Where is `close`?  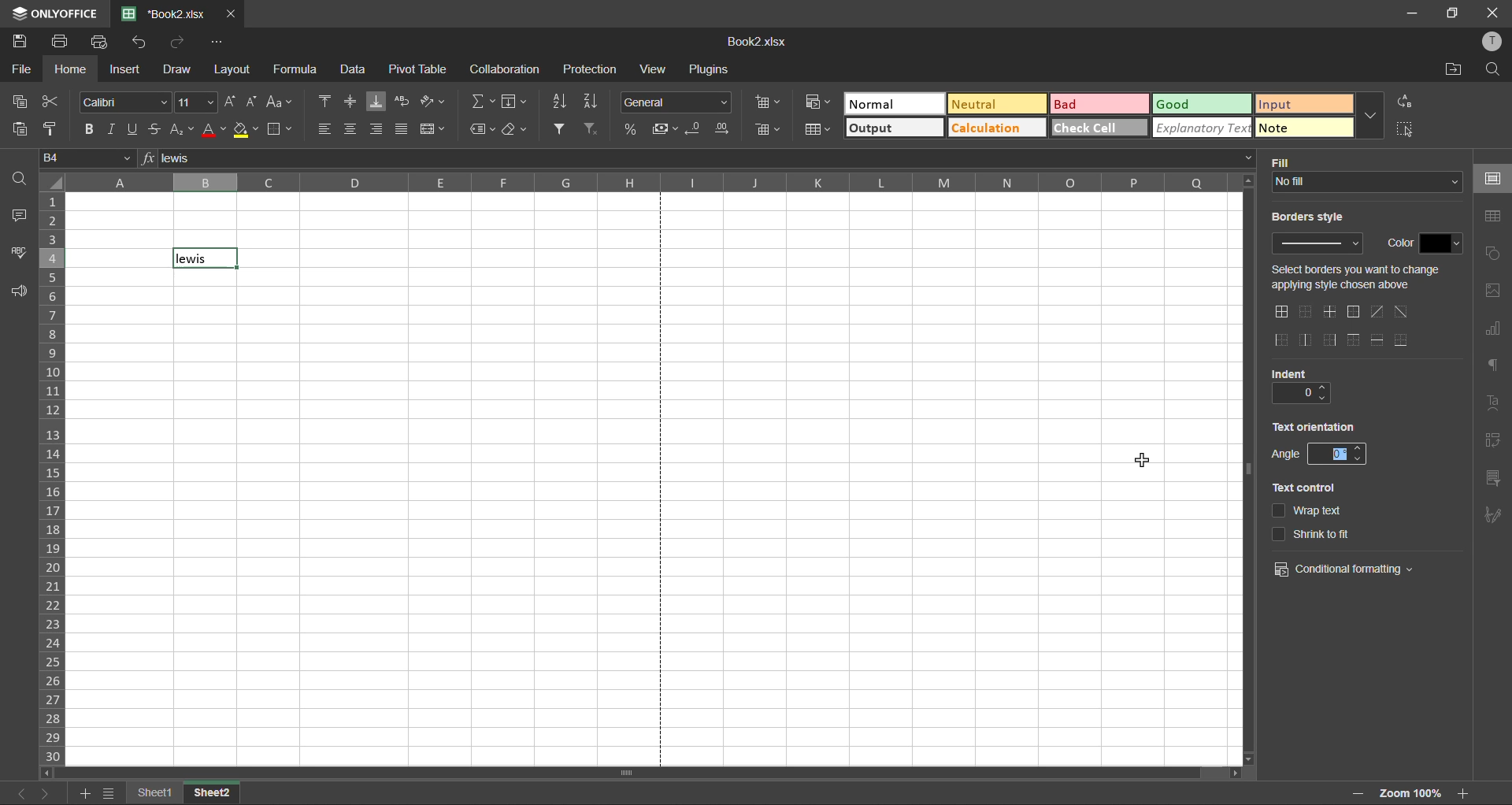
close is located at coordinates (1493, 13).